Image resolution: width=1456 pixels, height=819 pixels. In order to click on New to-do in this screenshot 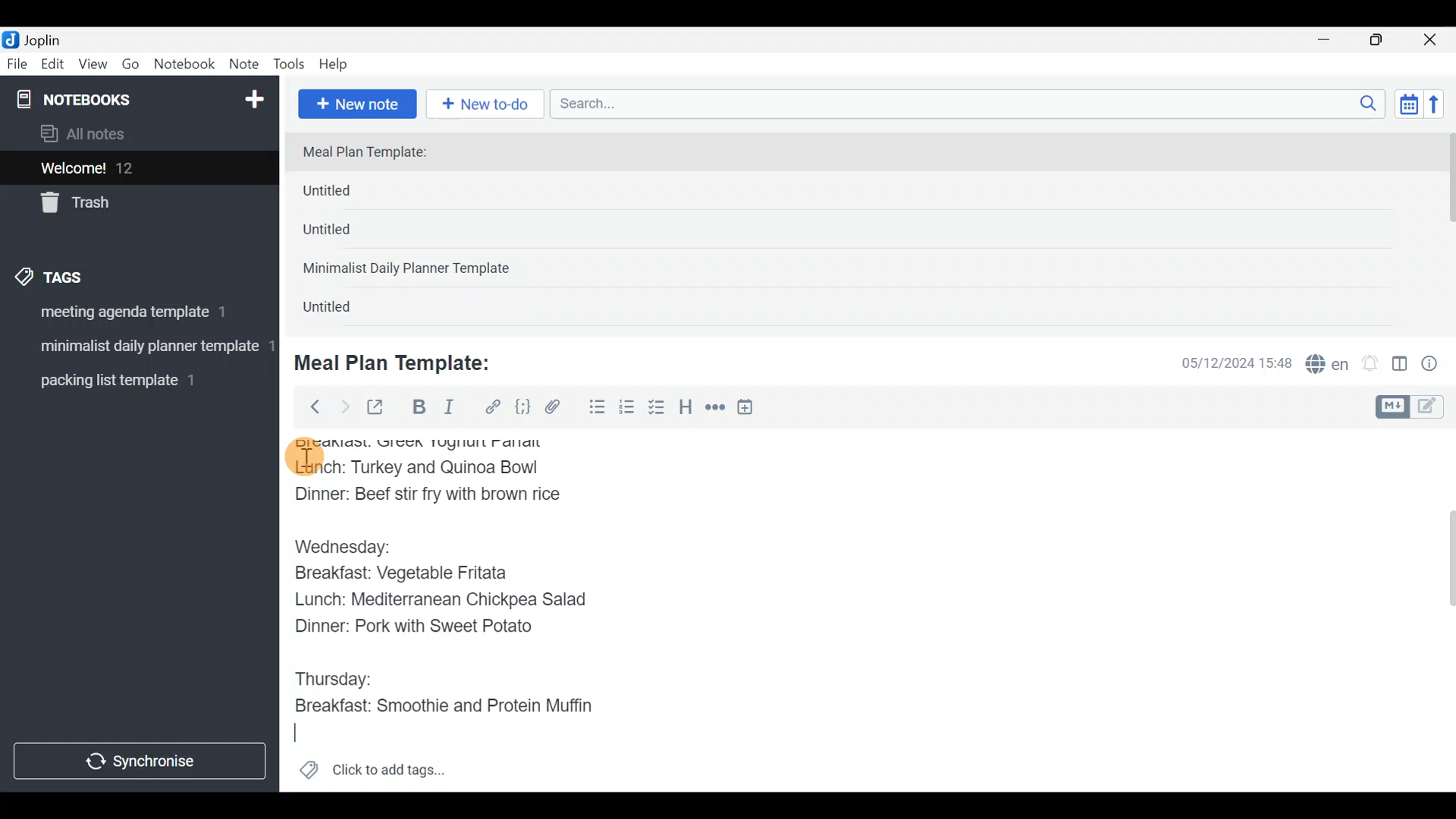, I will do `click(488, 105)`.